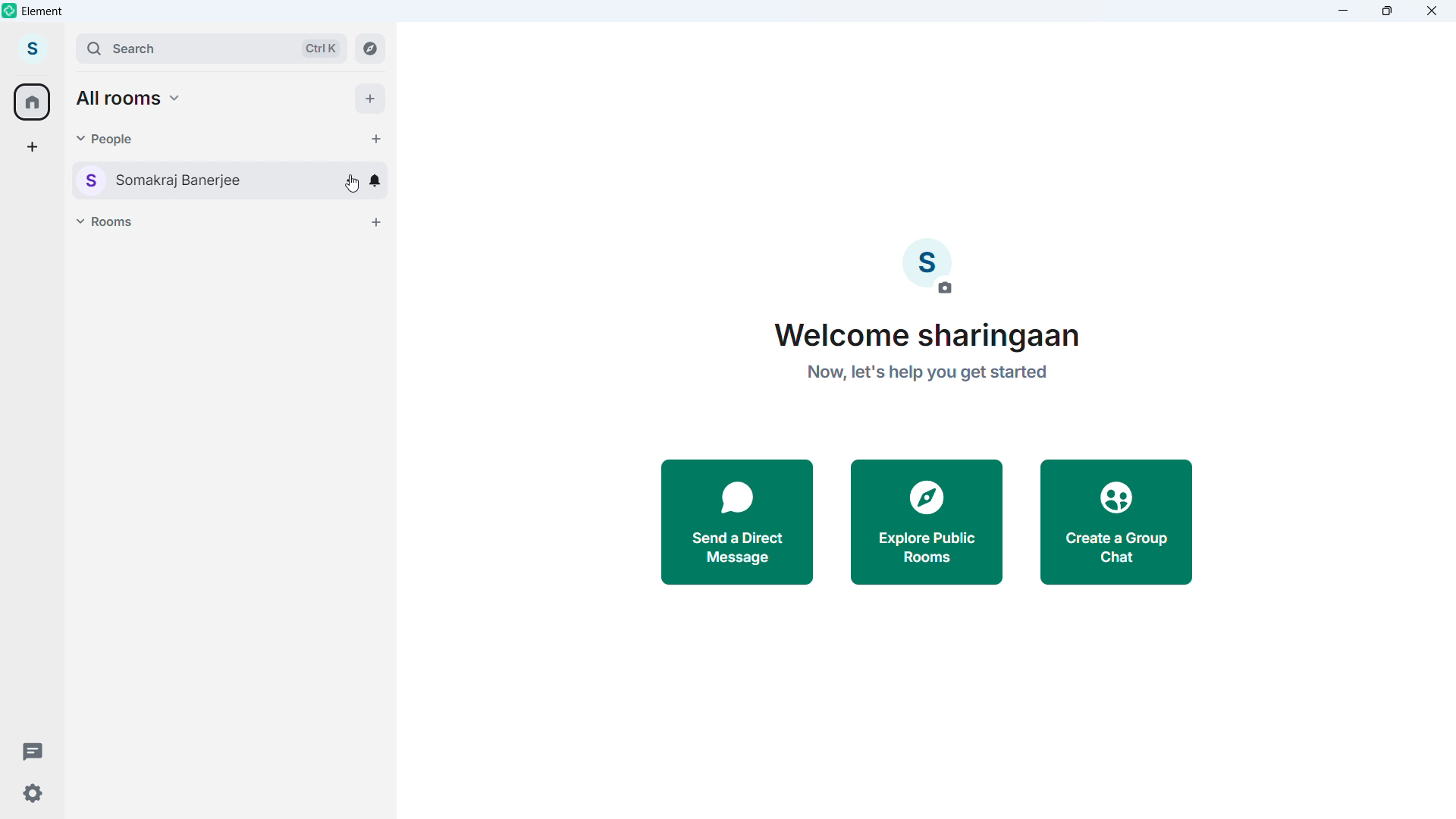 This screenshot has width=1456, height=819. I want to click on Settings , so click(32, 797).